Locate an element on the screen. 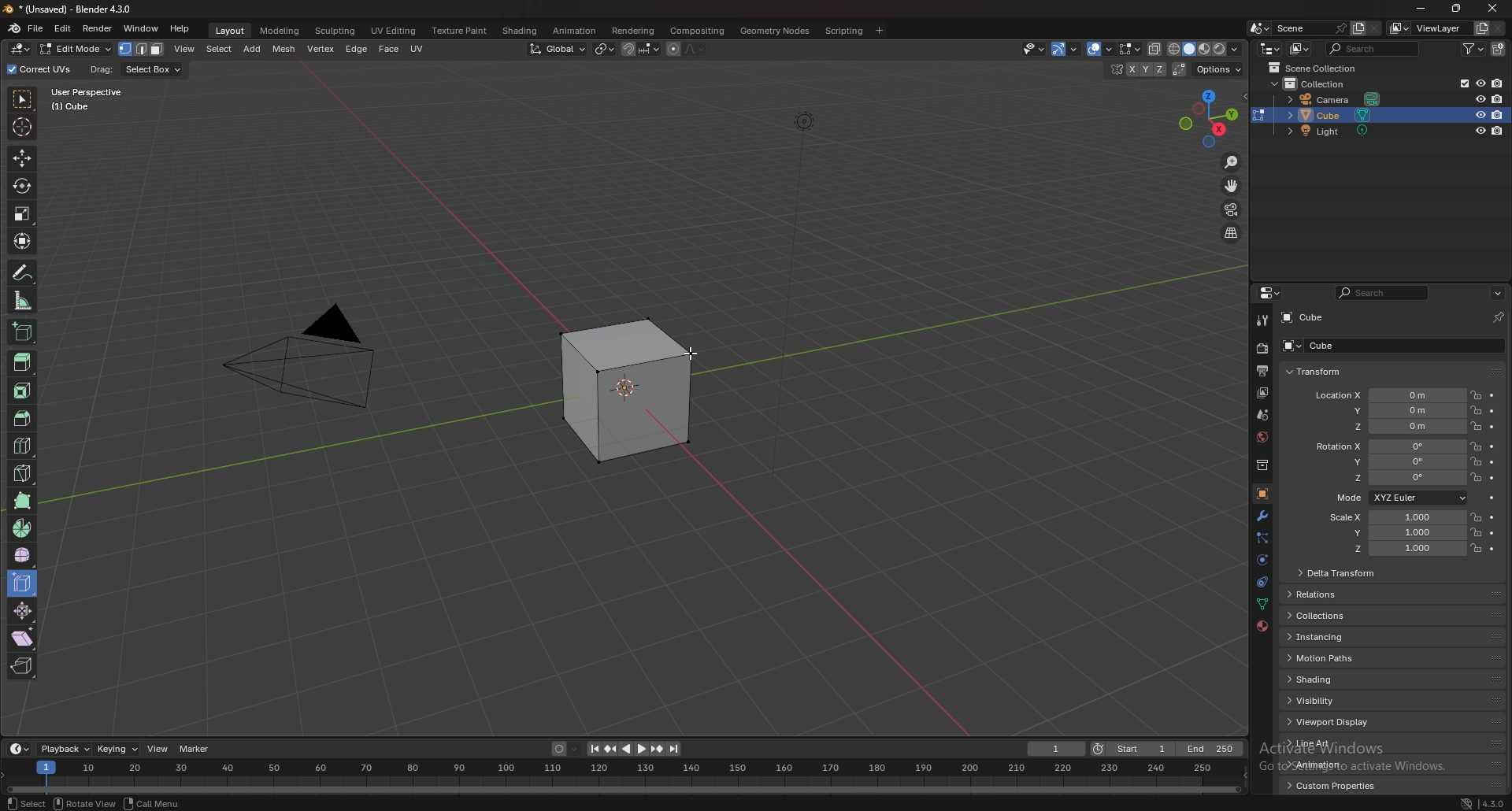 The width and height of the screenshot is (1512, 811). auto keying is located at coordinates (565, 748).